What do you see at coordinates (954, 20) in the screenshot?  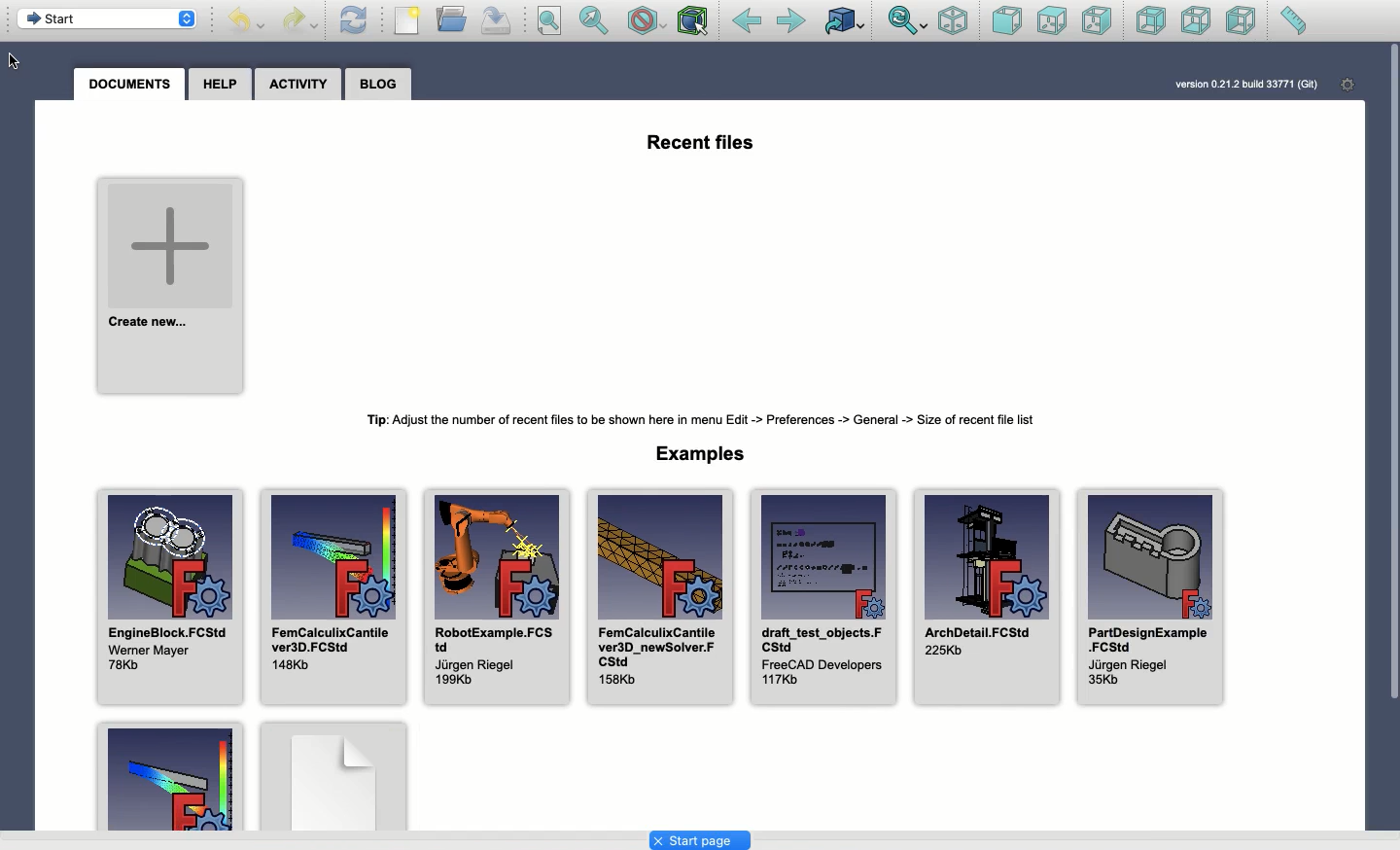 I see `Isometric` at bounding box center [954, 20].